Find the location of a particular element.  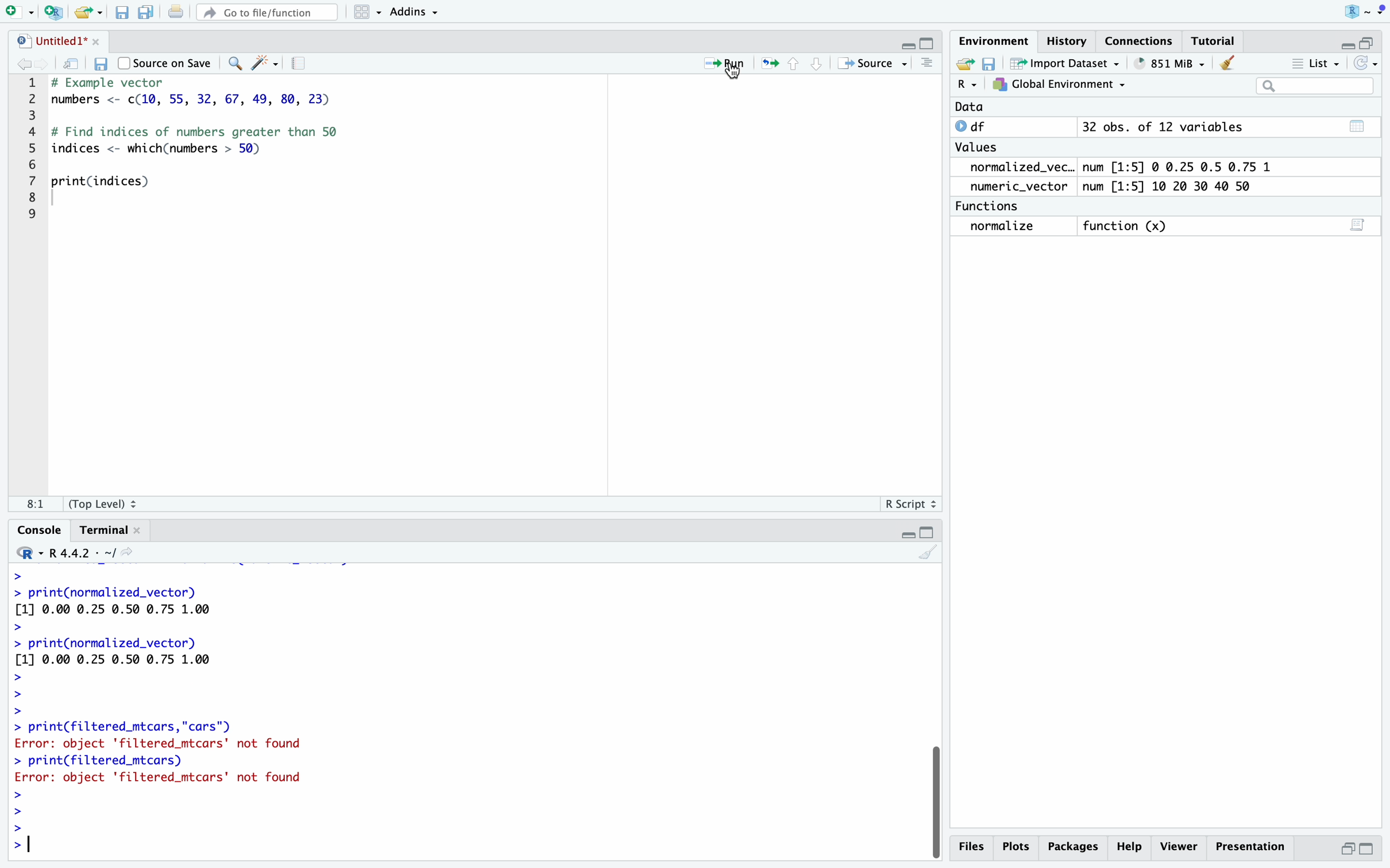

MENU is located at coordinates (1381, 12).